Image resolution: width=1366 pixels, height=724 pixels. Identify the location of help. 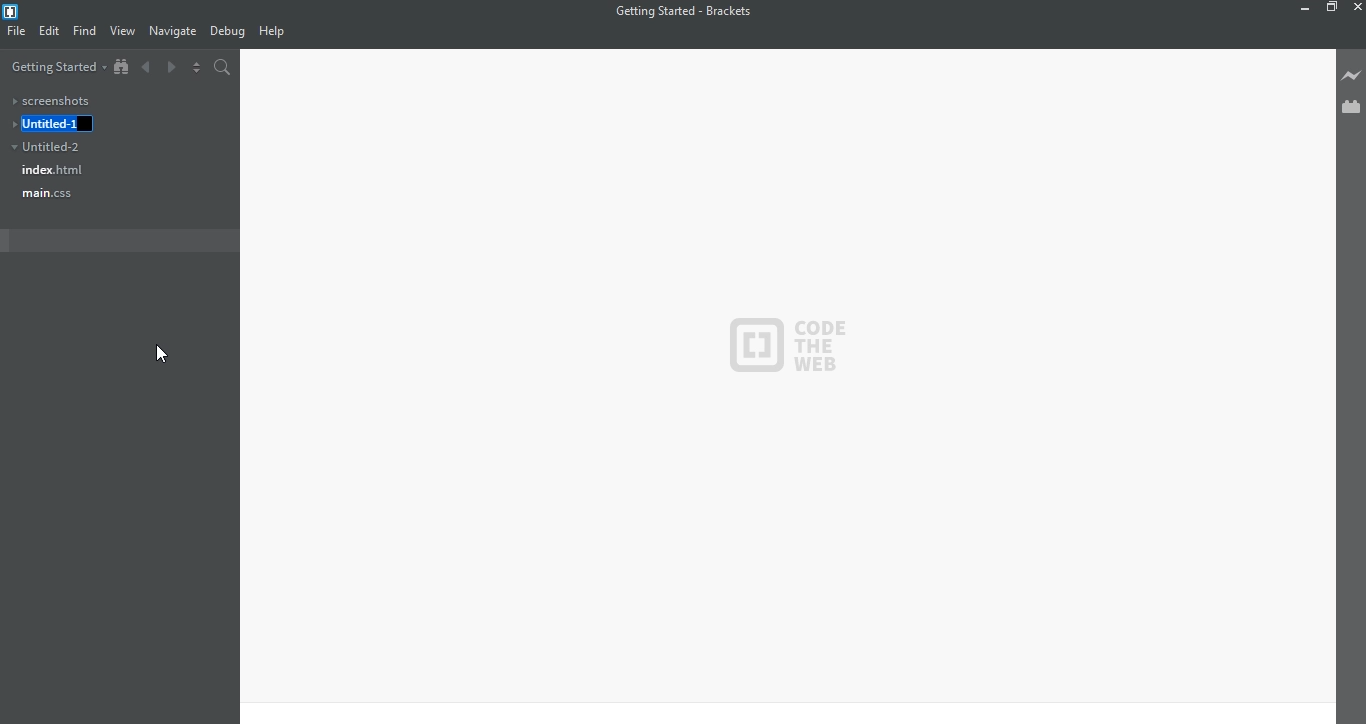
(279, 30).